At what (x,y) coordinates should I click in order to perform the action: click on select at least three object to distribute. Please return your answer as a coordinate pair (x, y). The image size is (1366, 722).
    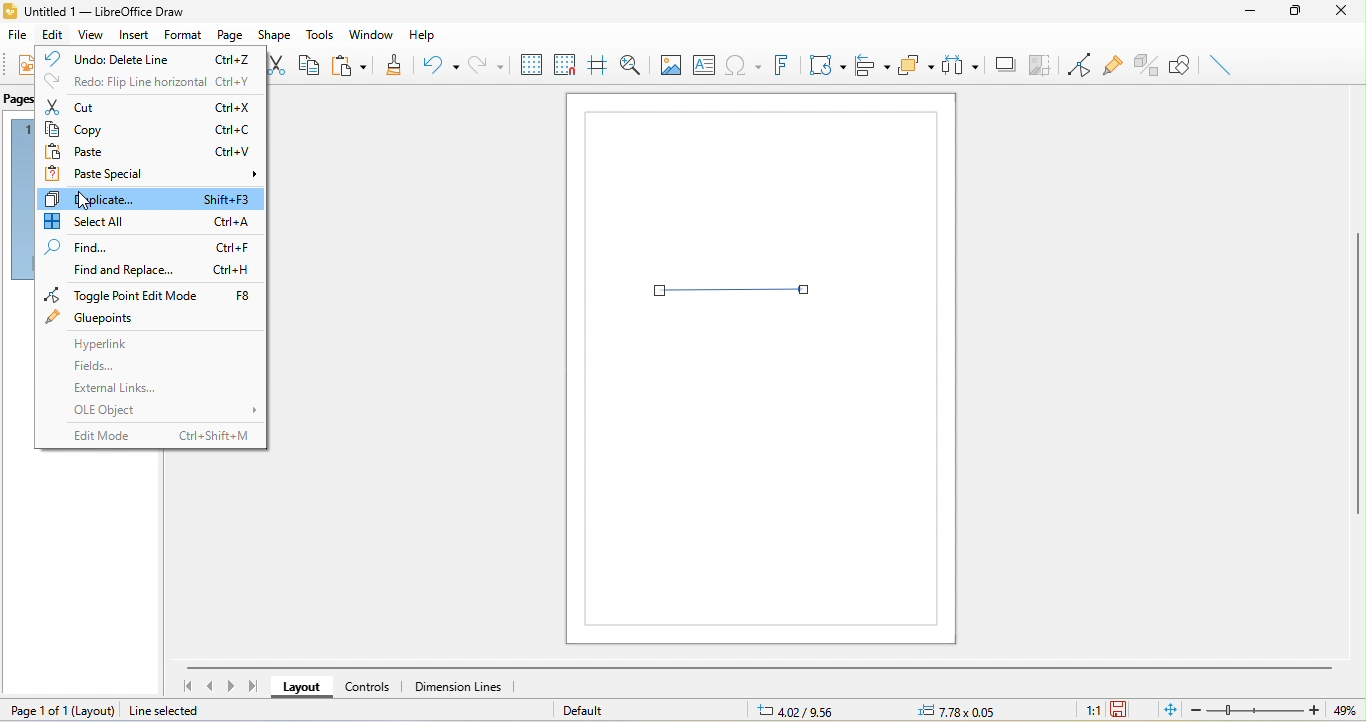
    Looking at the image, I should click on (962, 68).